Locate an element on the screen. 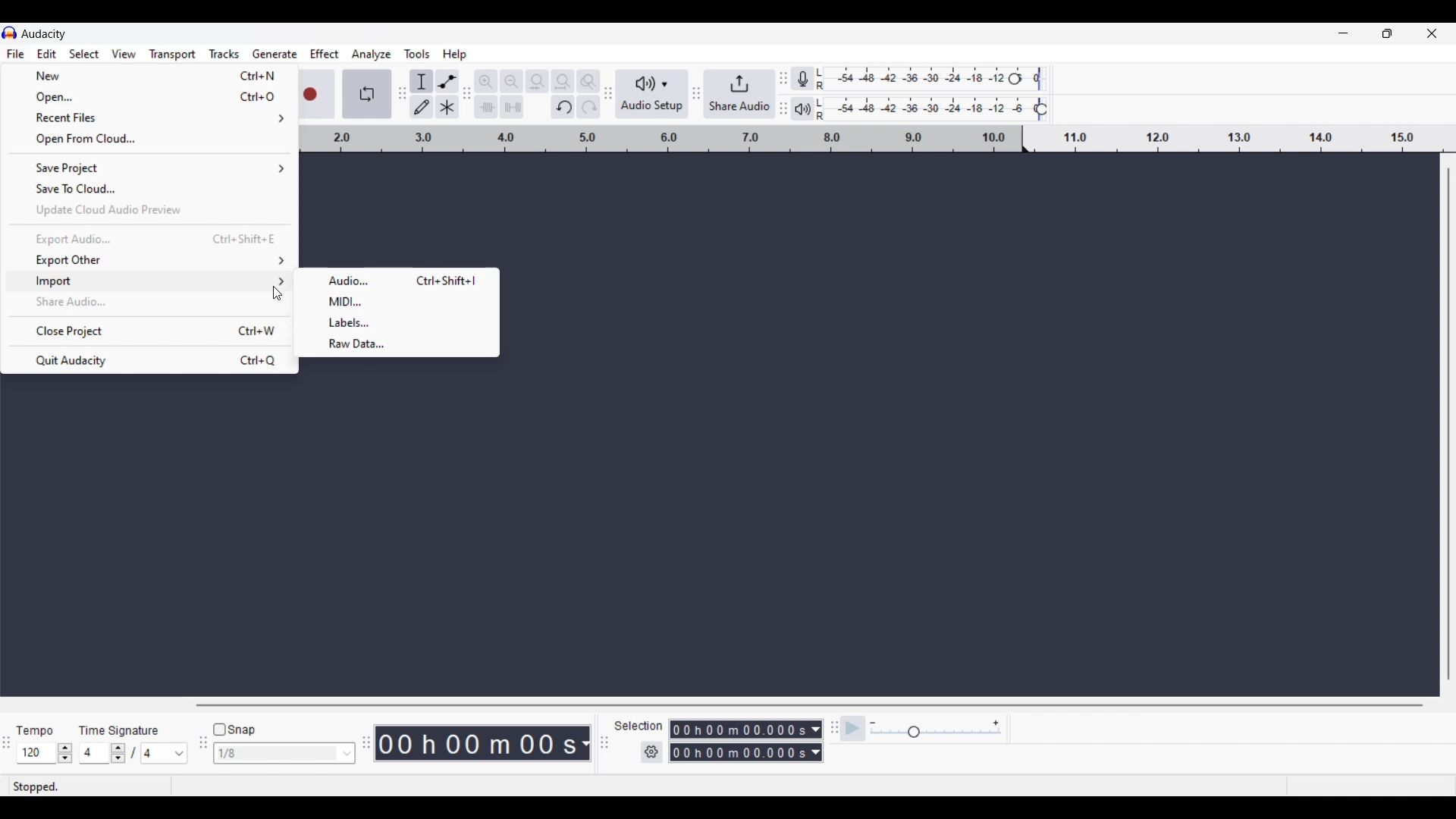  Zoom out is located at coordinates (512, 81).